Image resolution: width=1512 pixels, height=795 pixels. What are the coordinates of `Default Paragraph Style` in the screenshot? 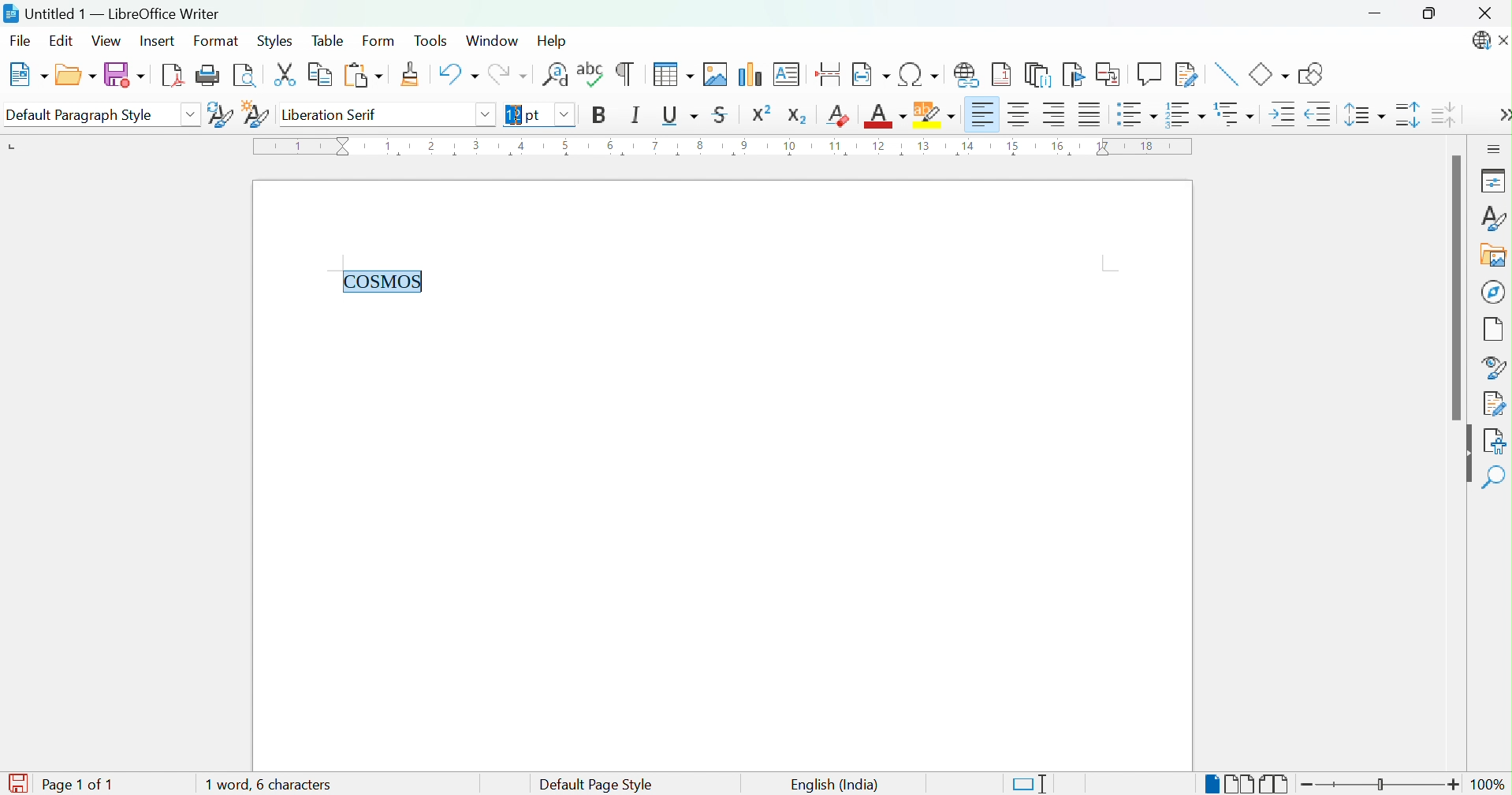 It's located at (85, 114).